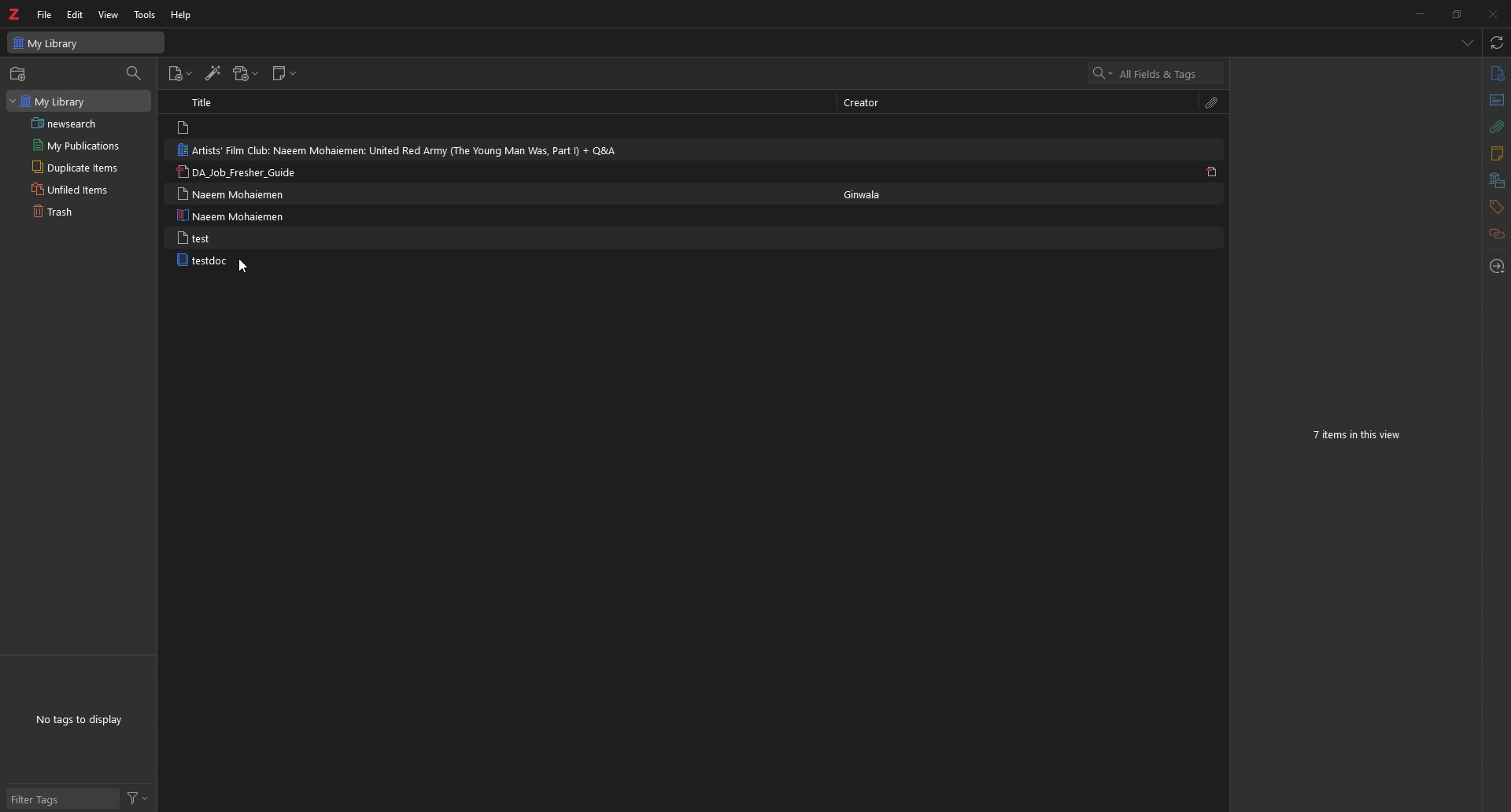  I want to click on filter collections, so click(134, 74).